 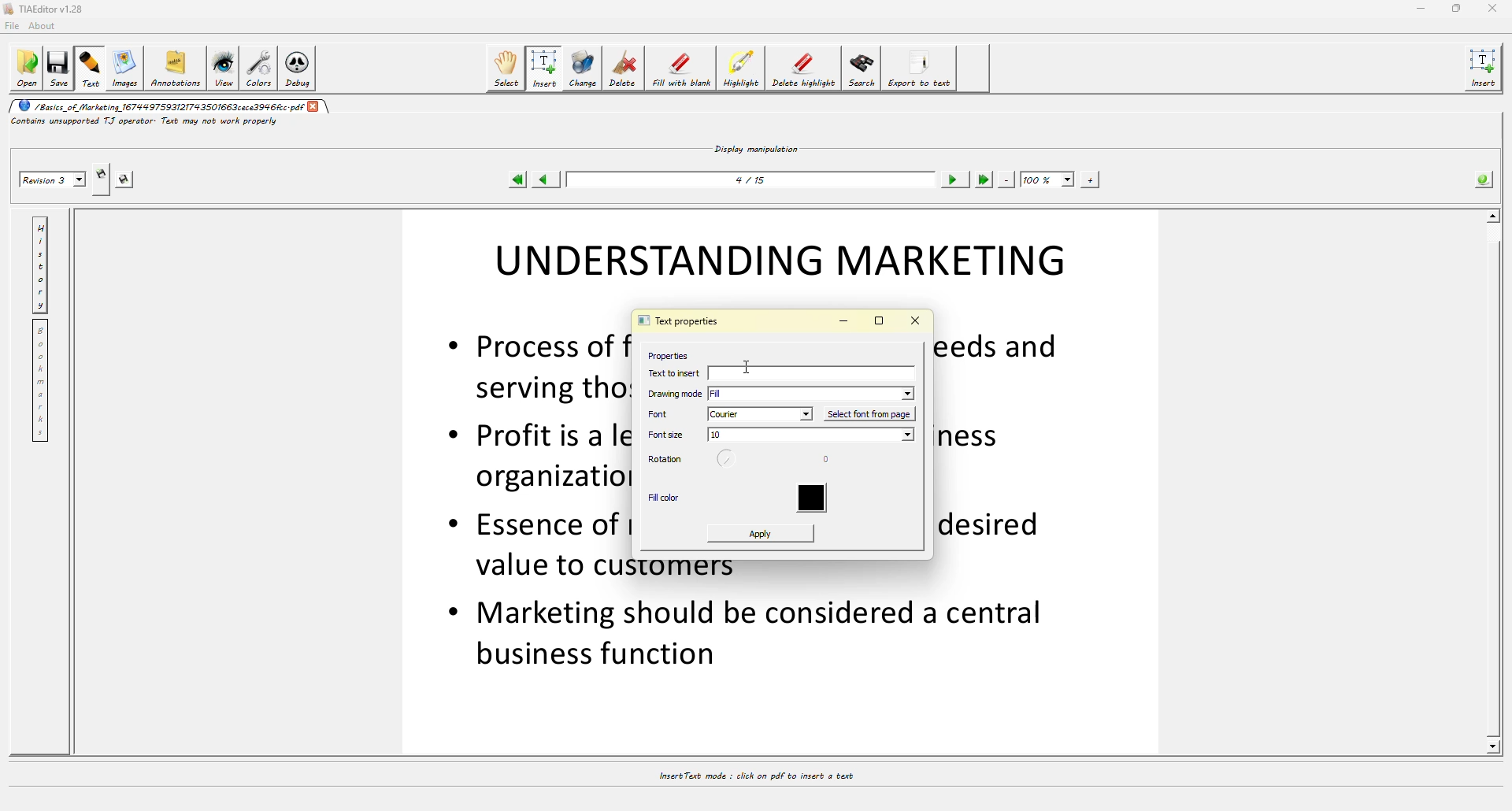 What do you see at coordinates (667, 413) in the screenshot?
I see `font` at bounding box center [667, 413].